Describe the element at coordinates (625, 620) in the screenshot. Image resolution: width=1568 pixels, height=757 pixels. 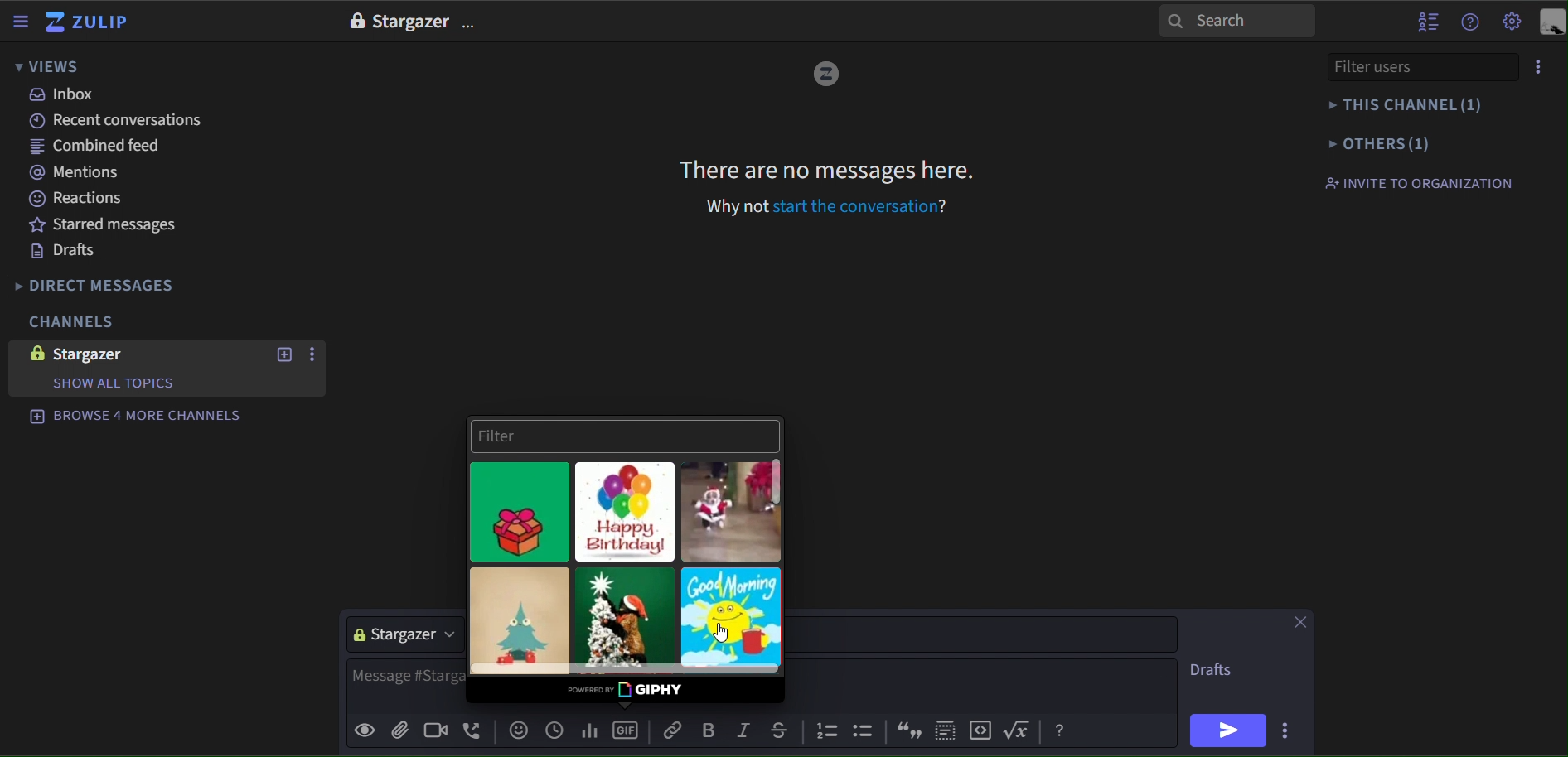
I see `image` at that location.